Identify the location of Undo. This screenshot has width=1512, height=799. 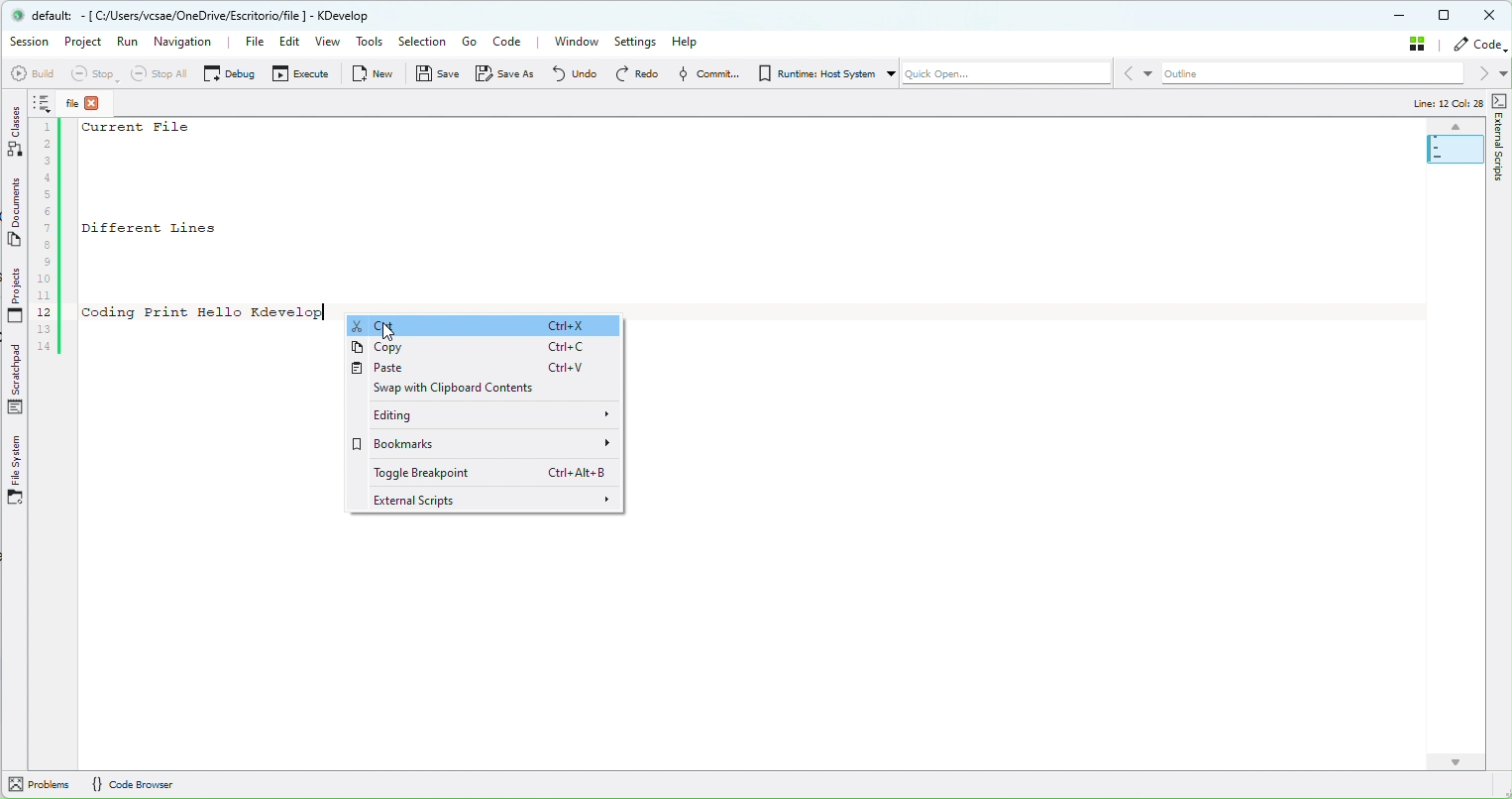
(568, 74).